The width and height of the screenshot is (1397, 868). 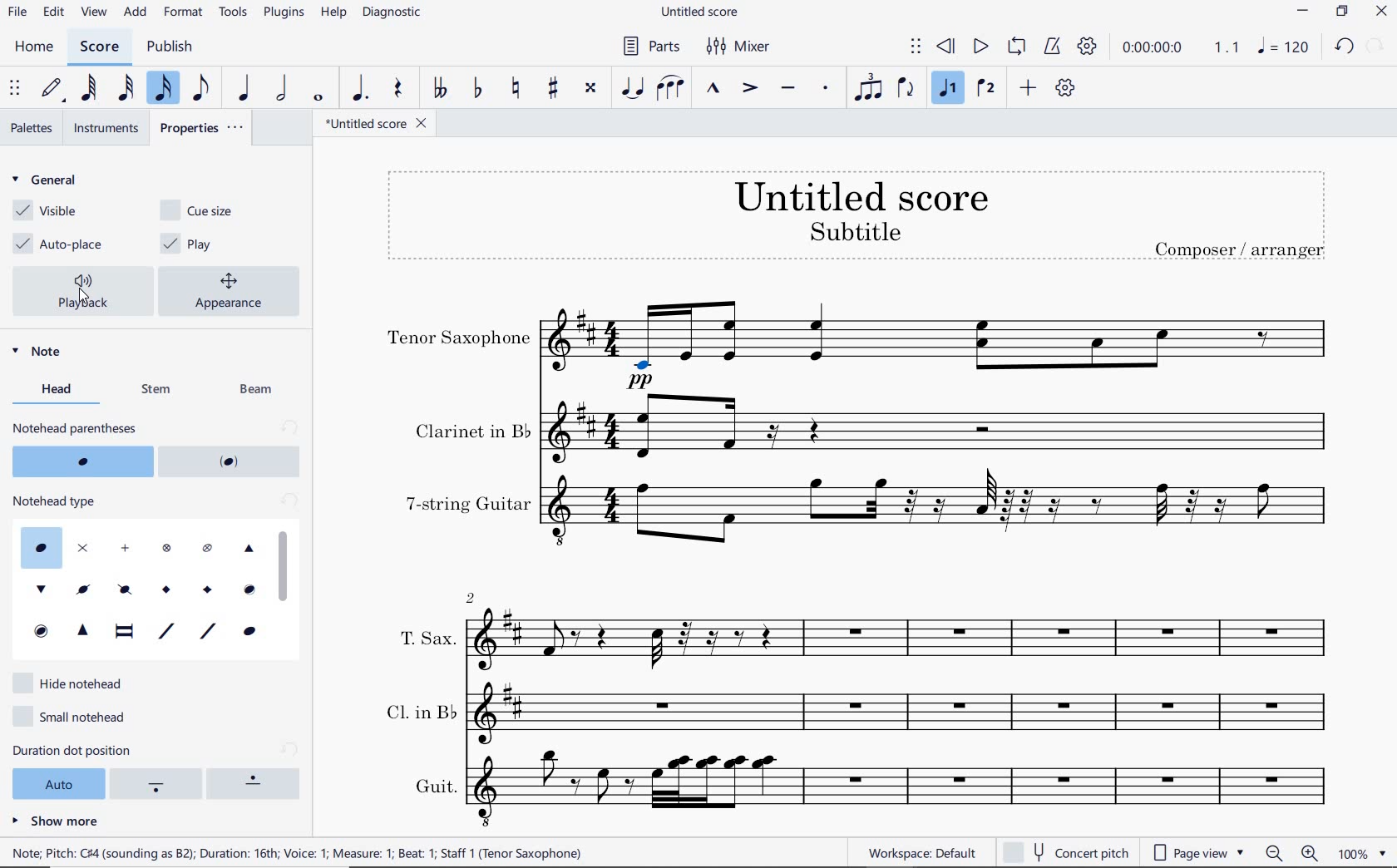 What do you see at coordinates (400, 89) in the screenshot?
I see `rest` at bounding box center [400, 89].